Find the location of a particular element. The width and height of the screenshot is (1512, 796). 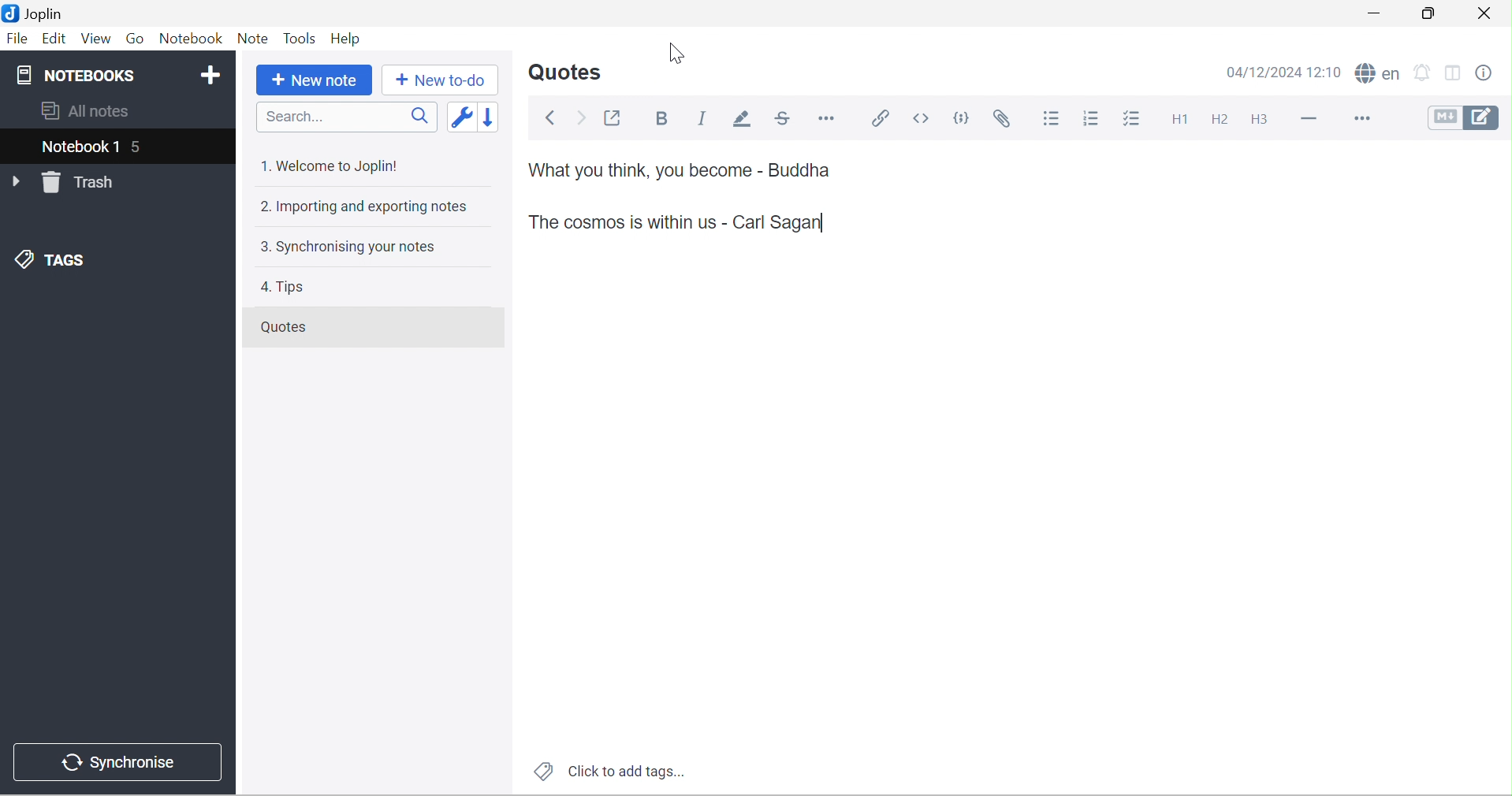

Code is located at coordinates (962, 115).